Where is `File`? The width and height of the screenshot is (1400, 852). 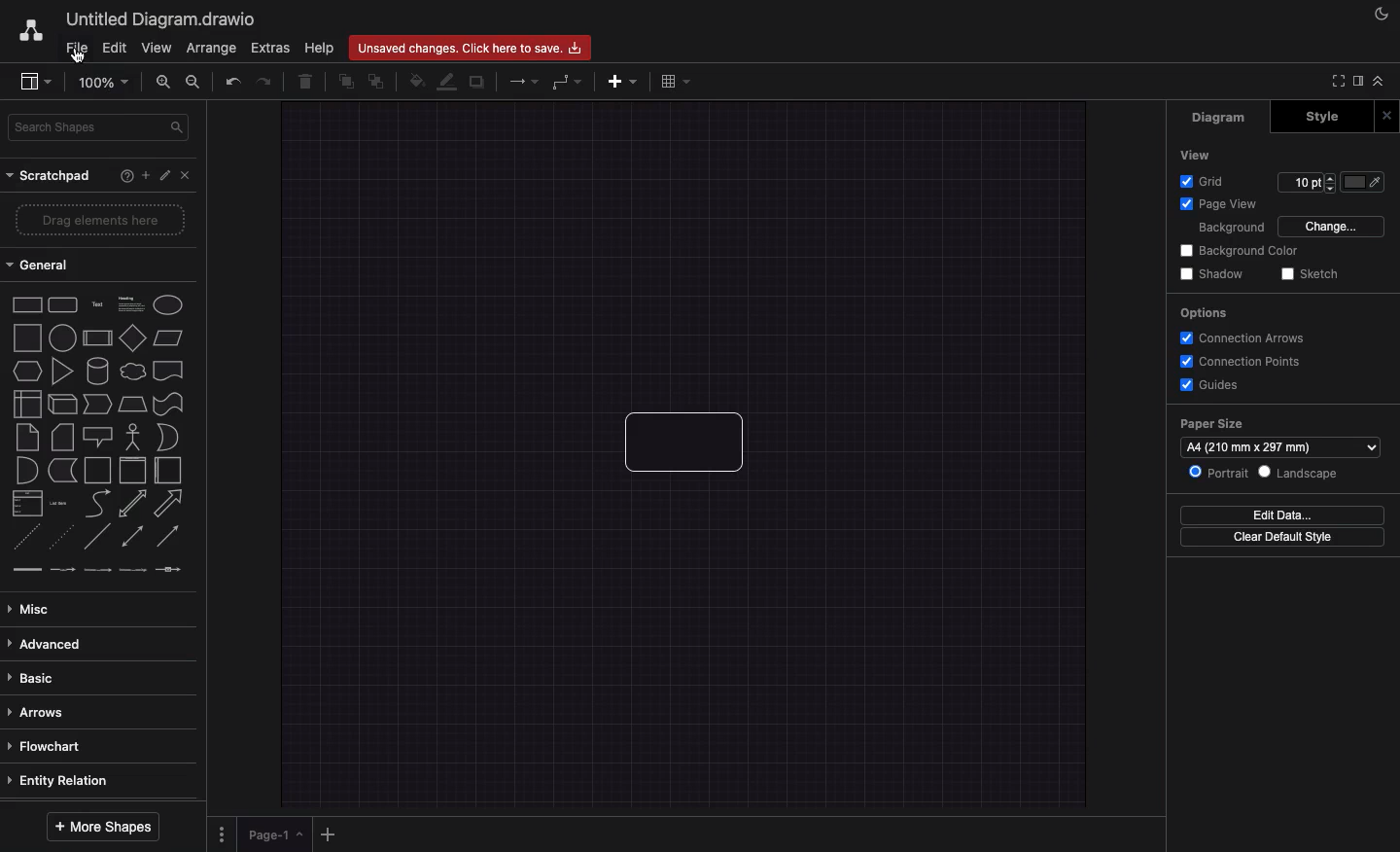 File is located at coordinates (76, 49).